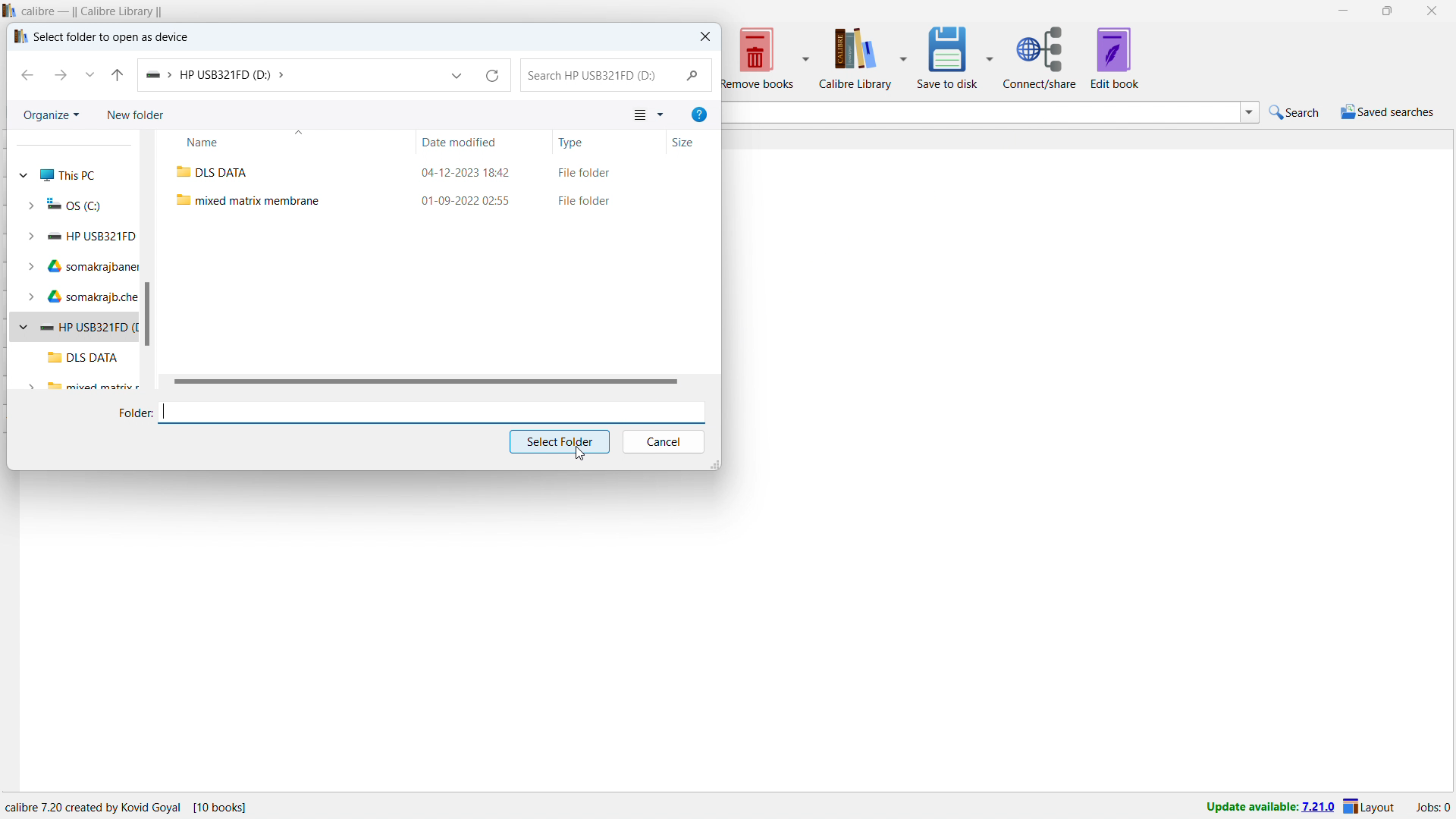  Describe the element at coordinates (980, 111) in the screenshot. I see `enter search string` at that location.